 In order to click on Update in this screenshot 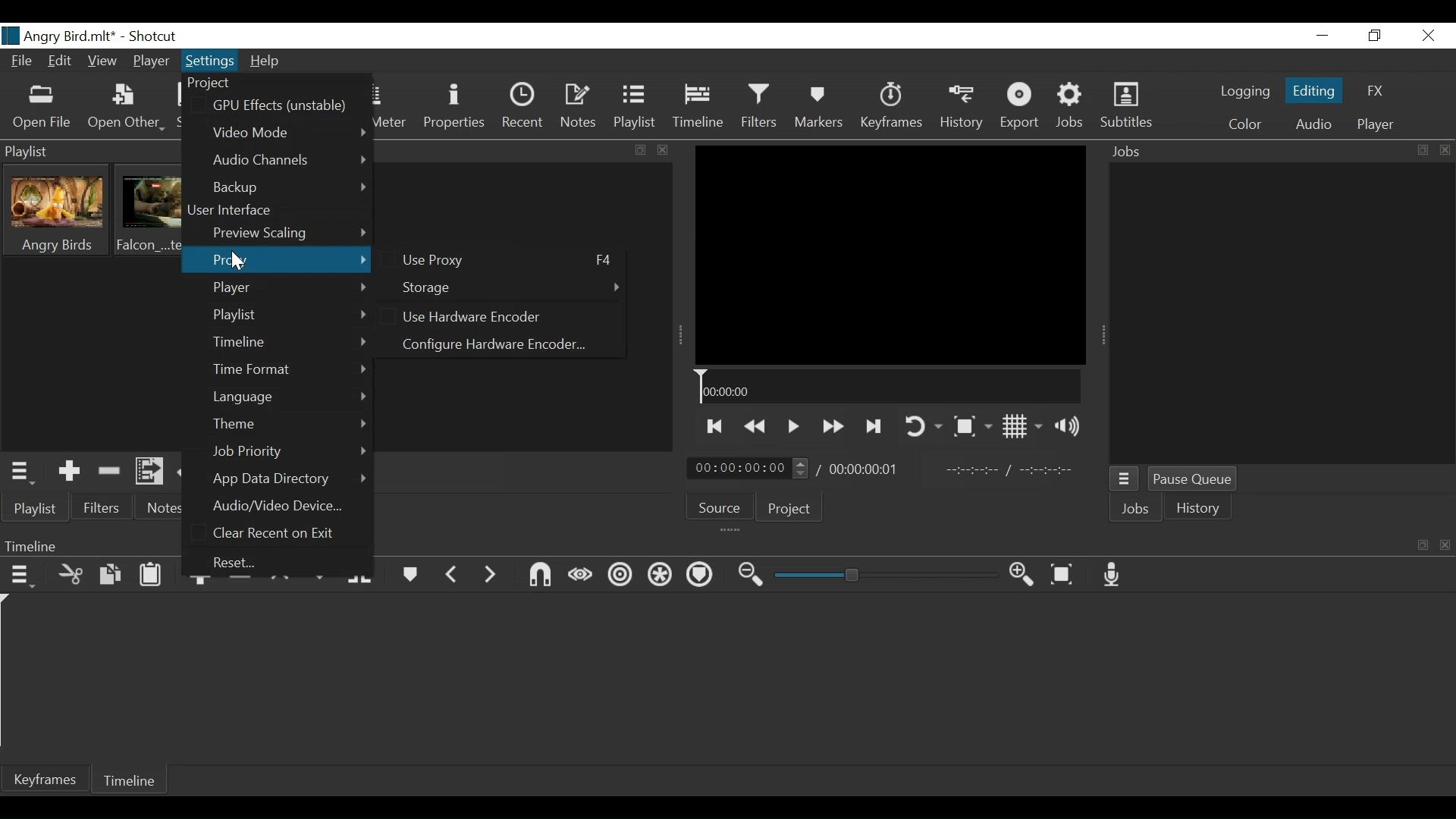, I will do `click(190, 472)`.